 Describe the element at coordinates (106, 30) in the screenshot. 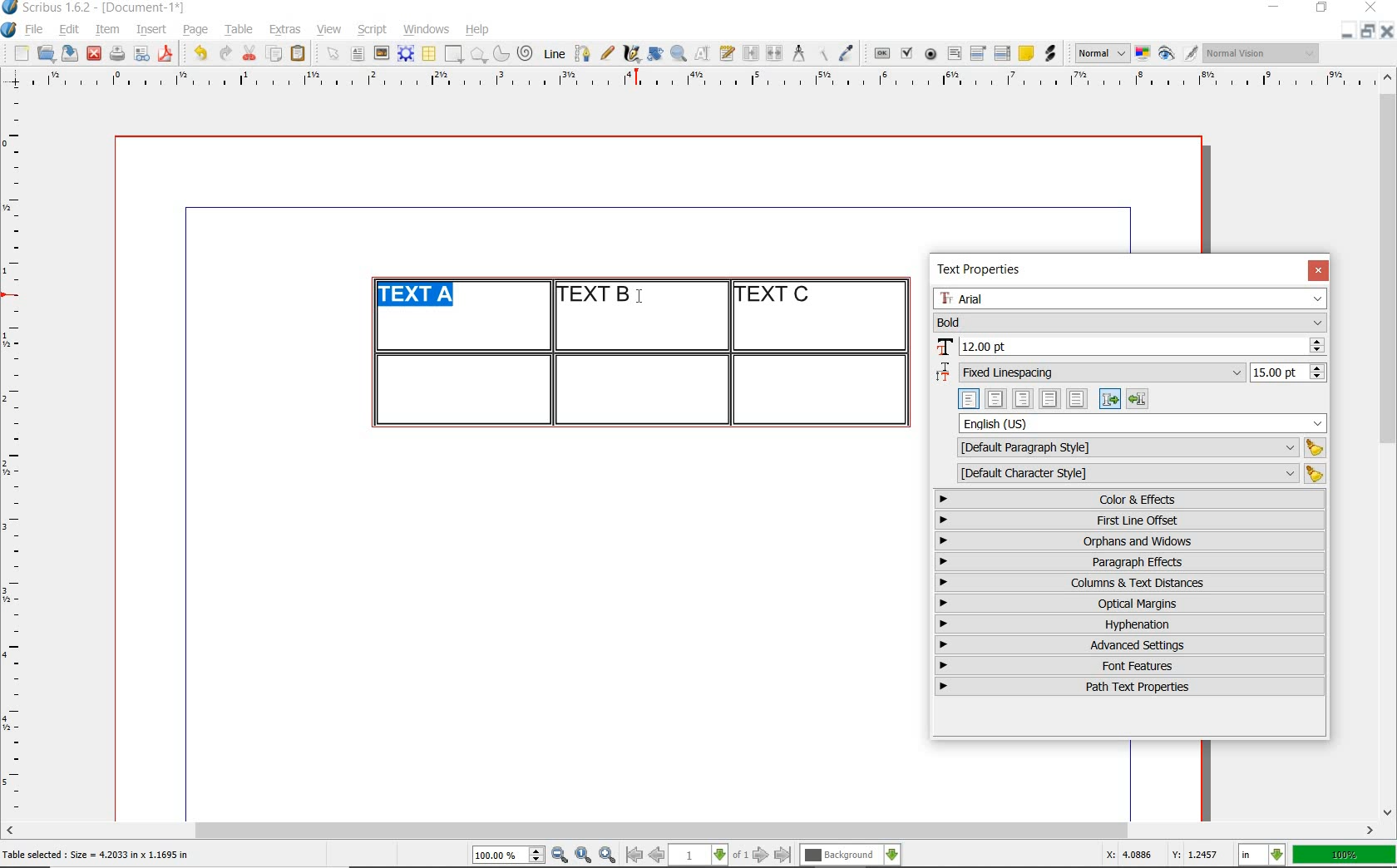

I see `item` at that location.